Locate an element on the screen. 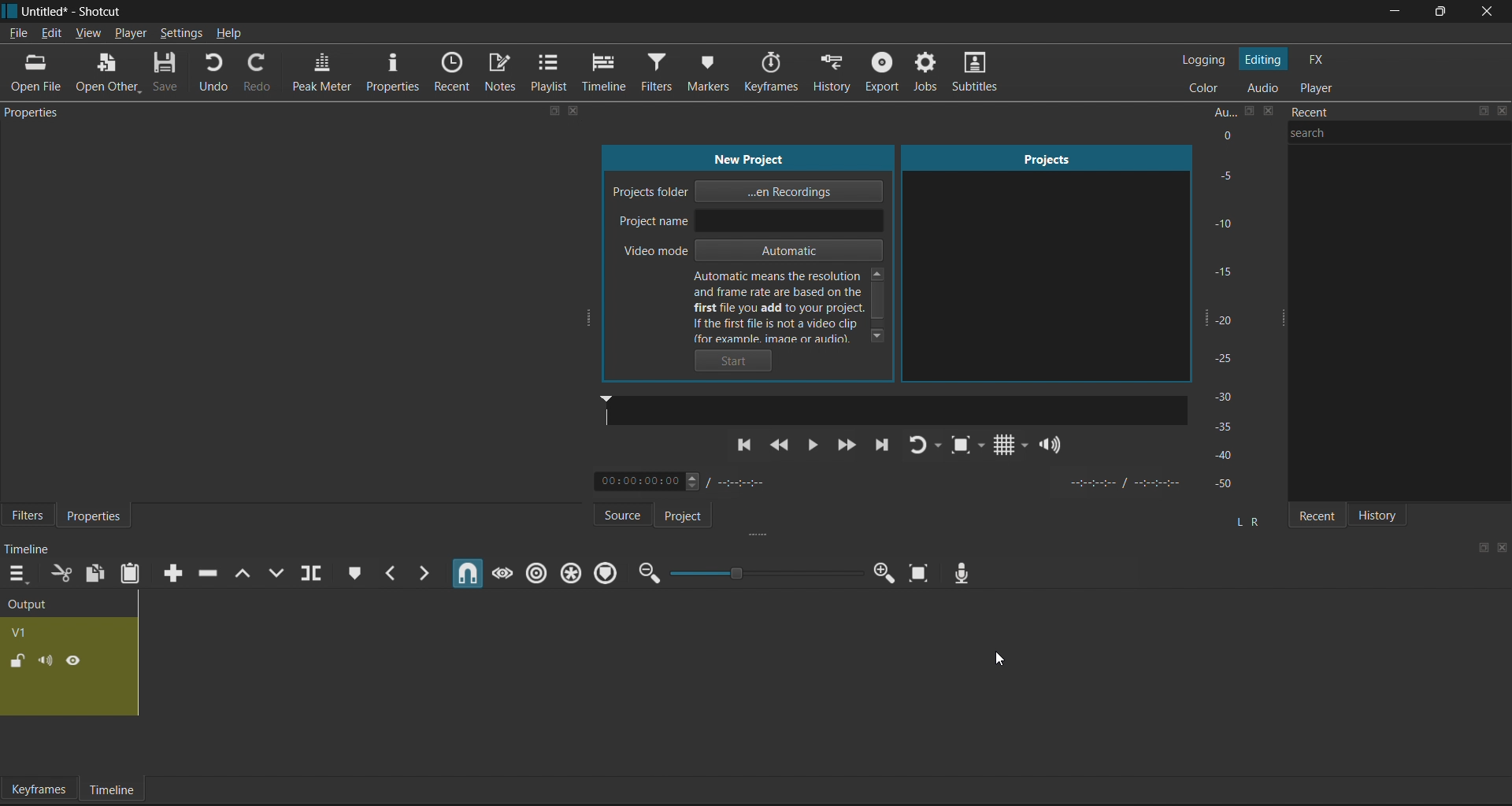  Sound bar is located at coordinates (893, 409).